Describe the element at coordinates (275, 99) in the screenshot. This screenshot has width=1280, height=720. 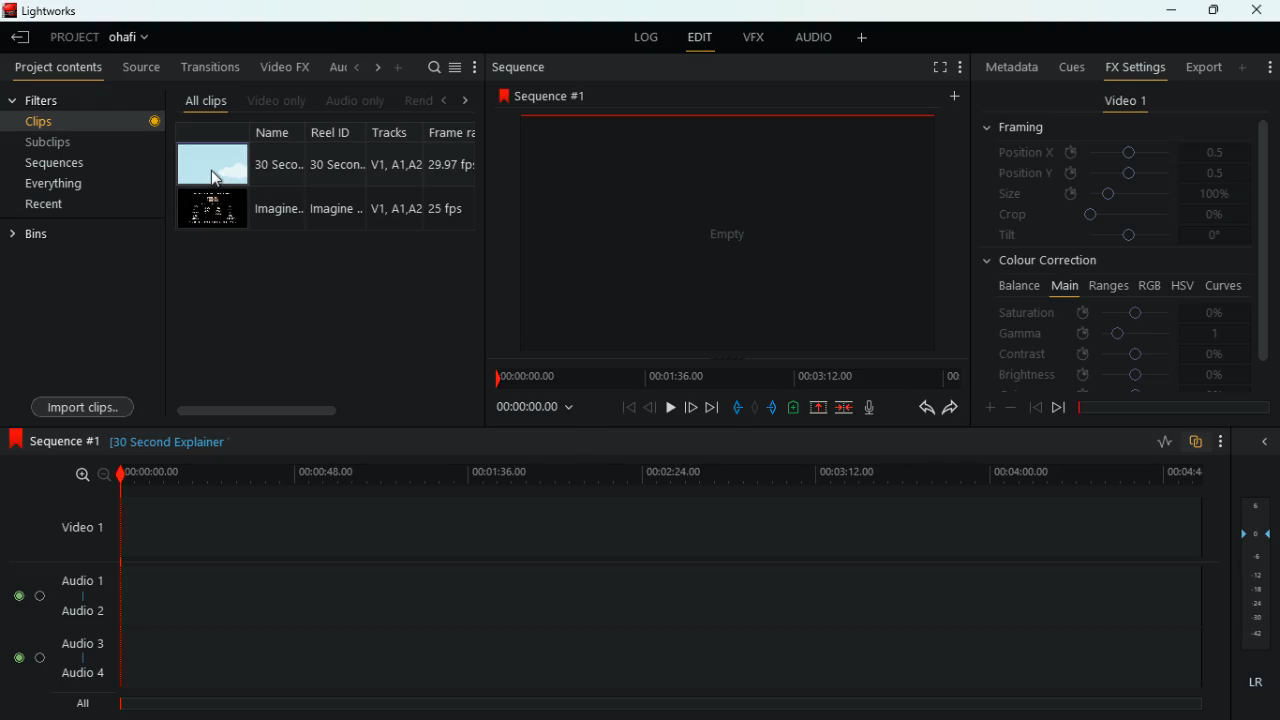
I see `video only` at that location.